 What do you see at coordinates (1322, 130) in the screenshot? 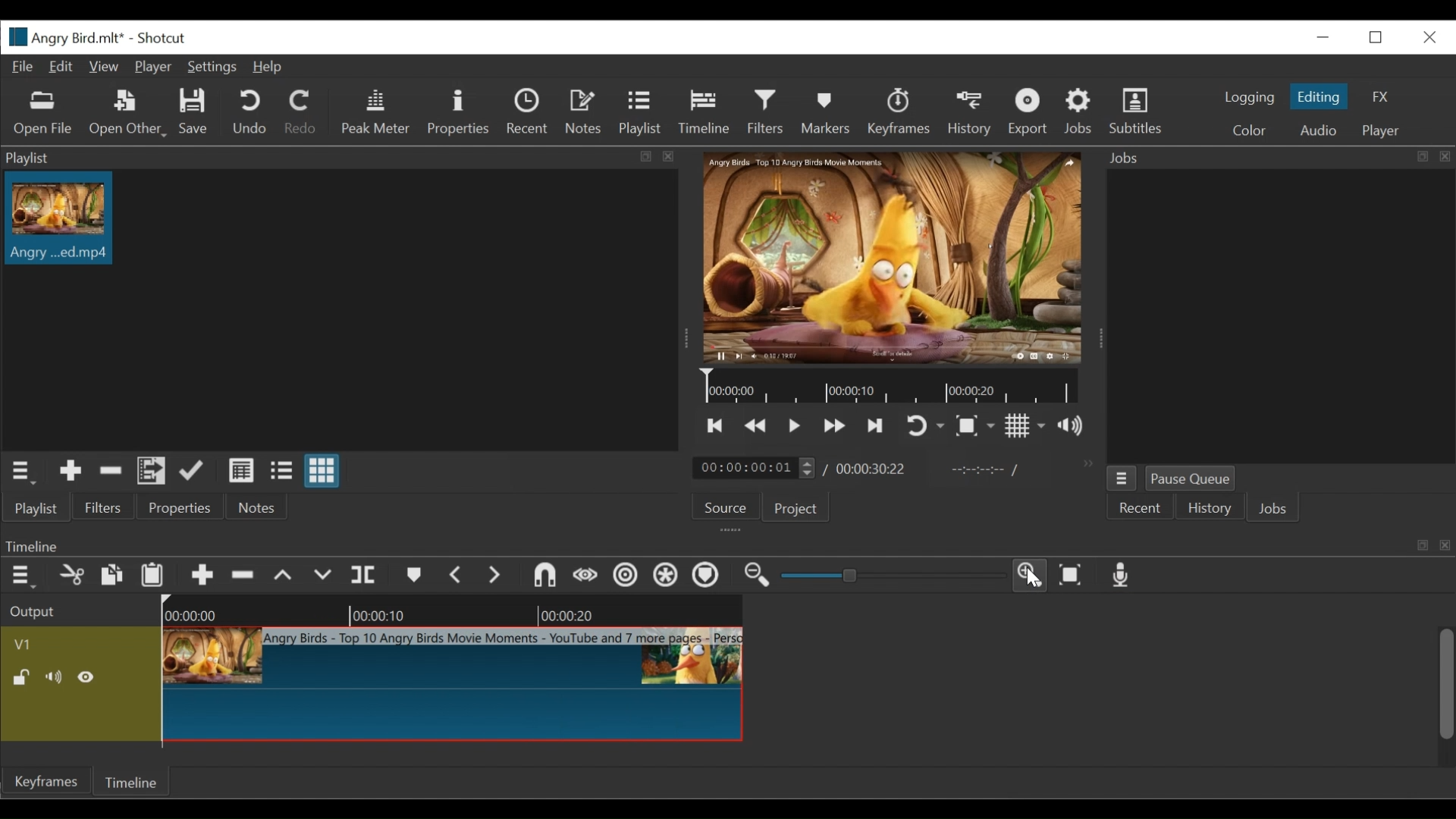
I see `Audio` at bounding box center [1322, 130].